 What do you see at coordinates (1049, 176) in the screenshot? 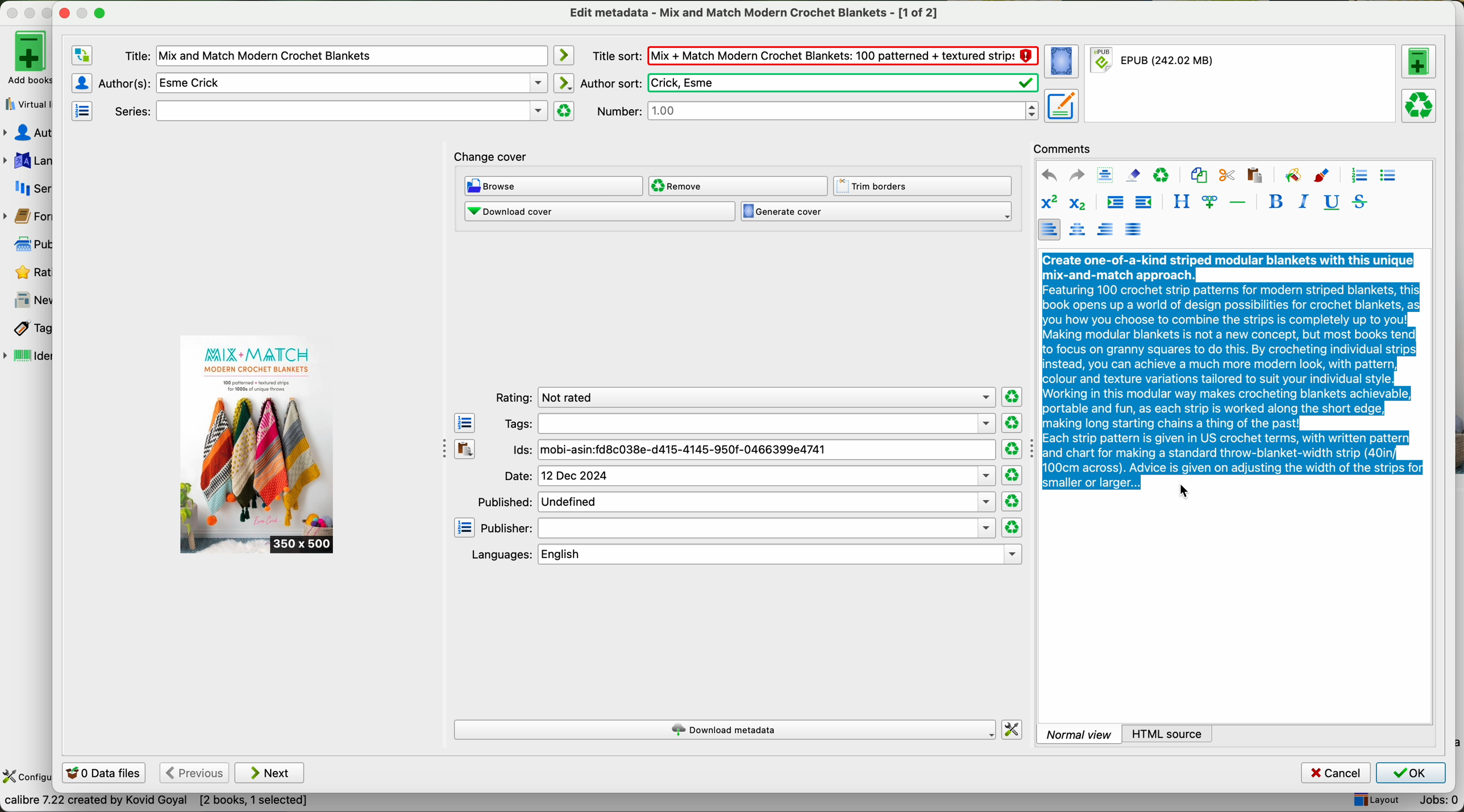
I see `undo` at bounding box center [1049, 176].